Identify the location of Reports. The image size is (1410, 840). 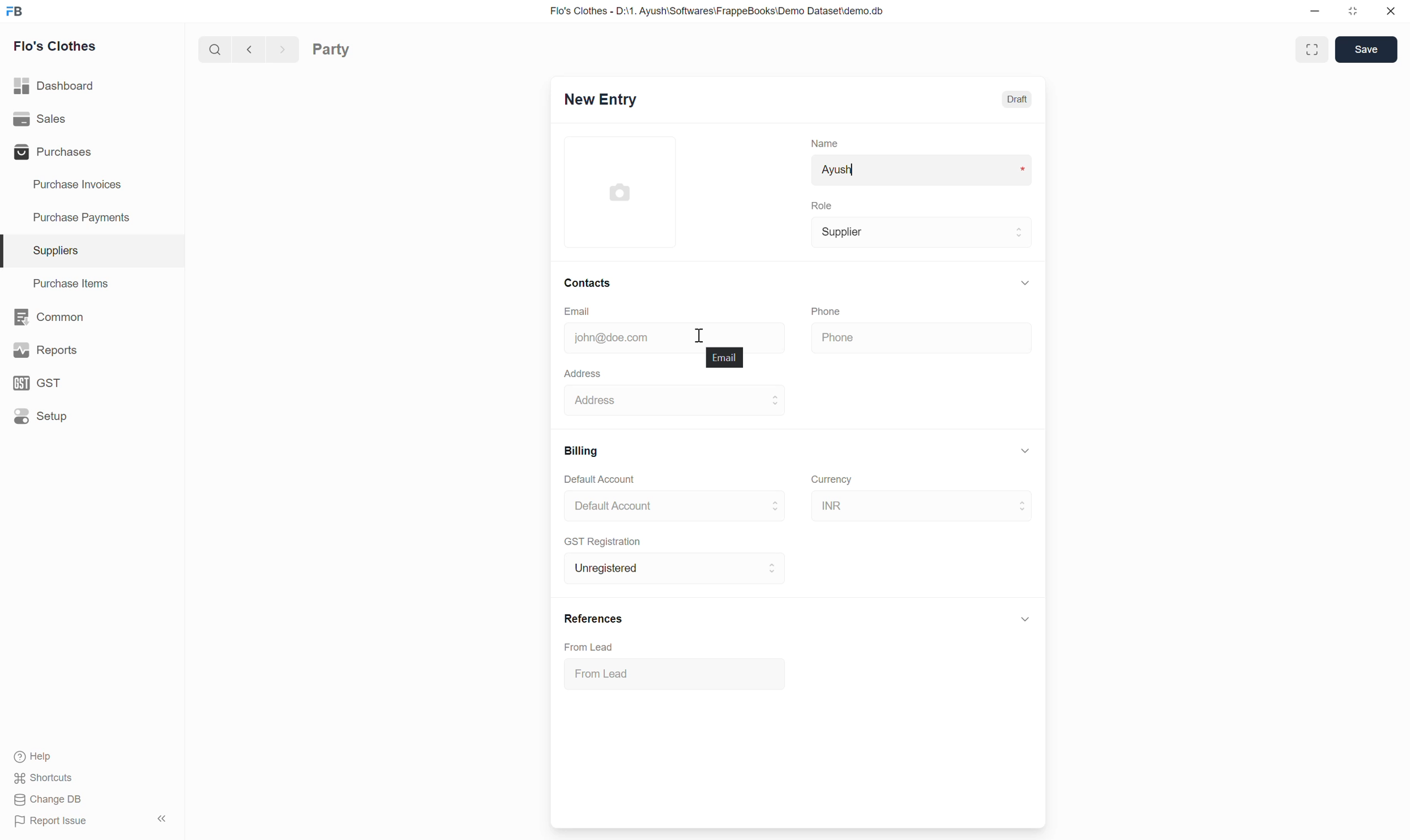
(92, 350).